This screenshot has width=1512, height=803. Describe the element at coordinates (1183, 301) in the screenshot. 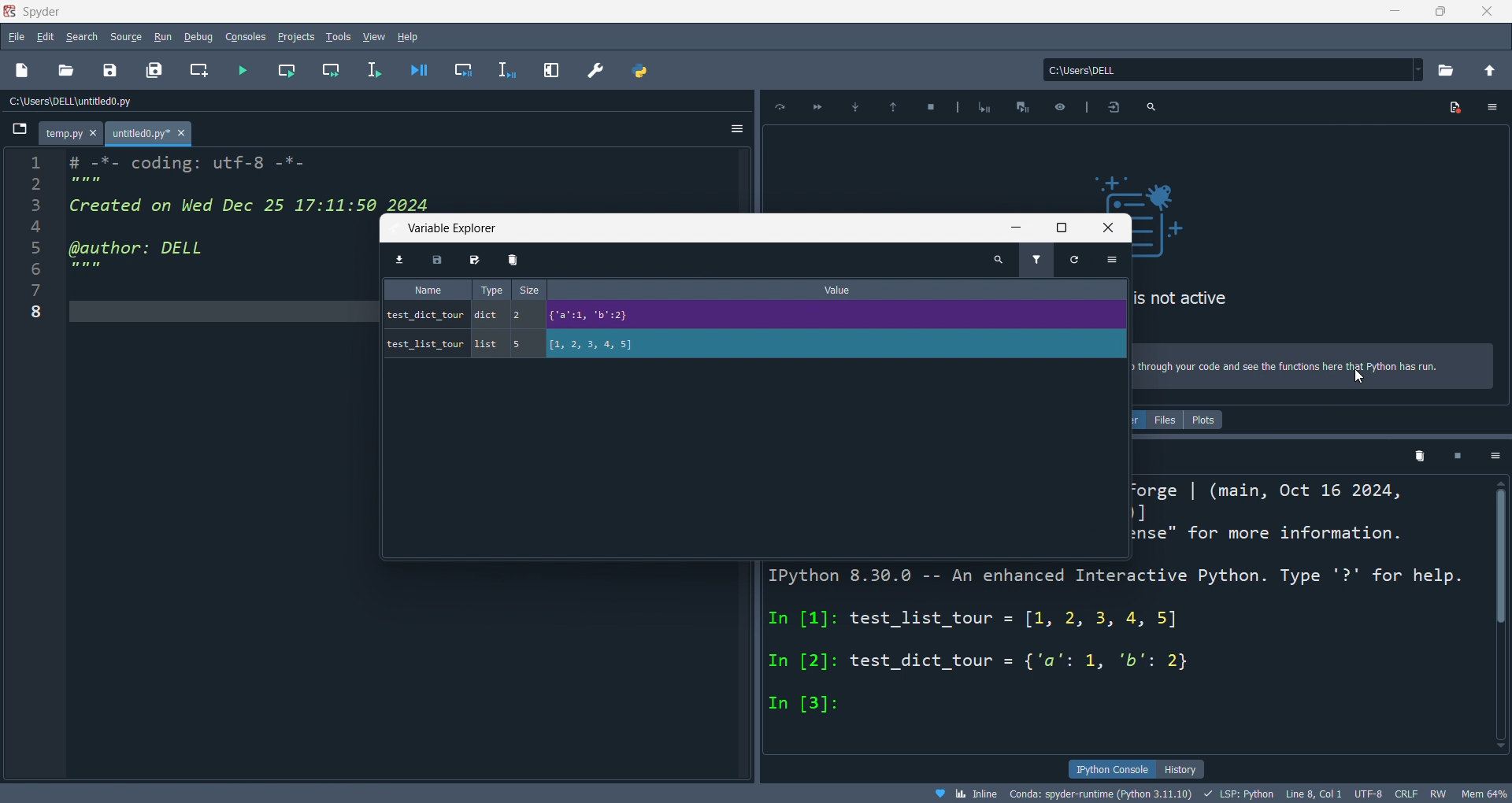

I see `is not active` at that location.